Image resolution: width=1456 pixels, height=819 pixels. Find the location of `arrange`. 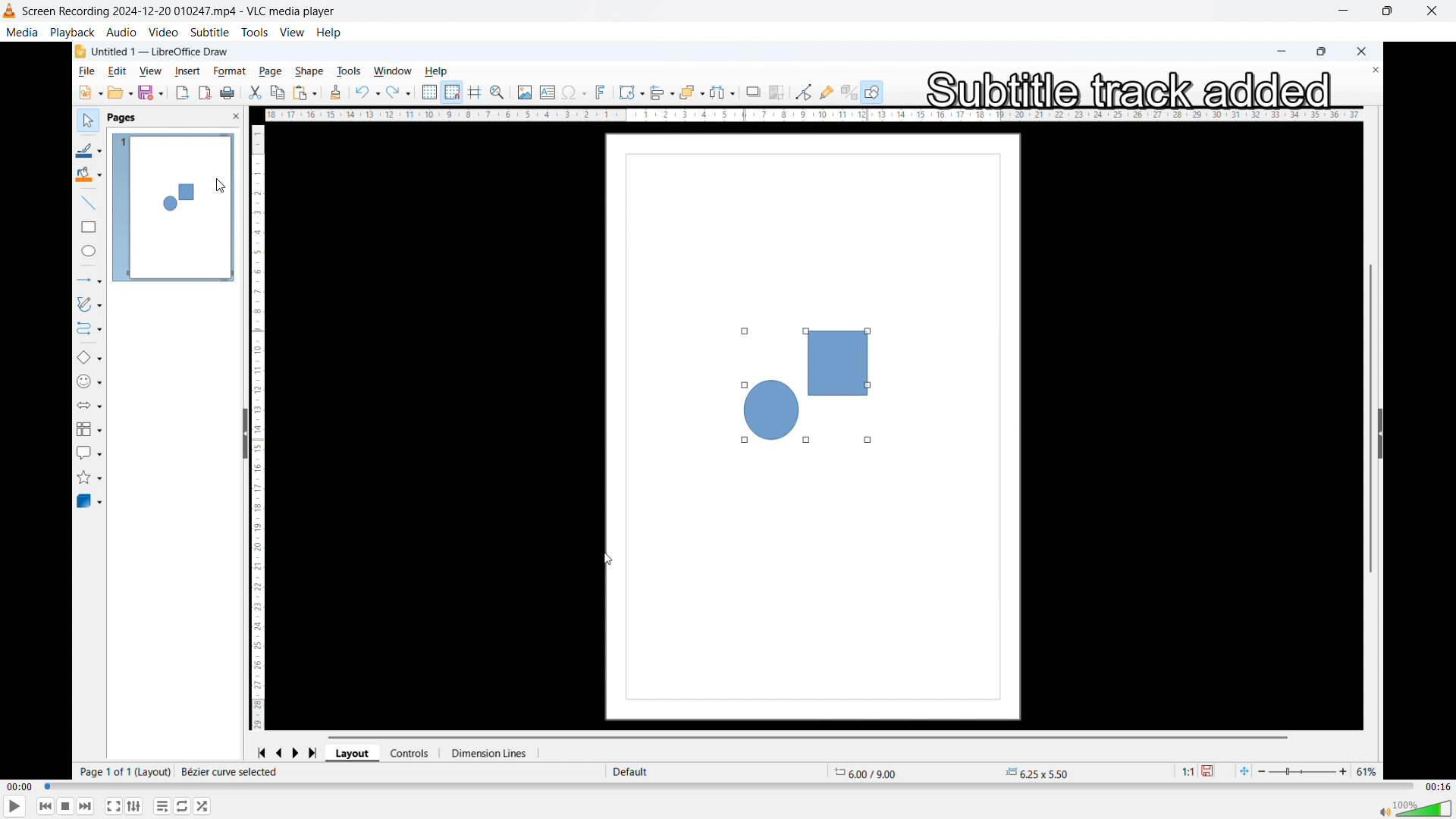

arrange is located at coordinates (692, 92).